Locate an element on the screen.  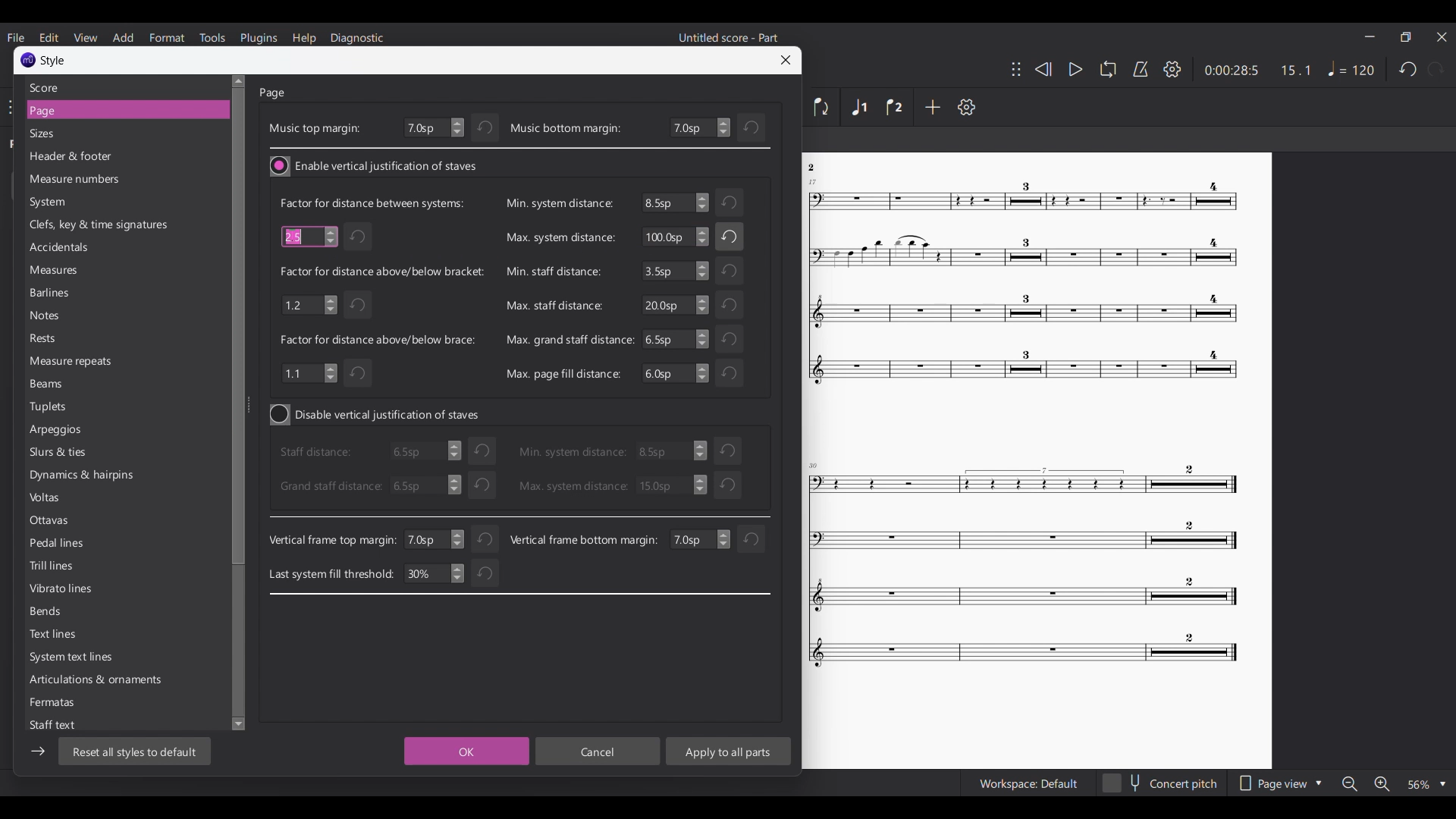
Reset to default is located at coordinates (134, 751).